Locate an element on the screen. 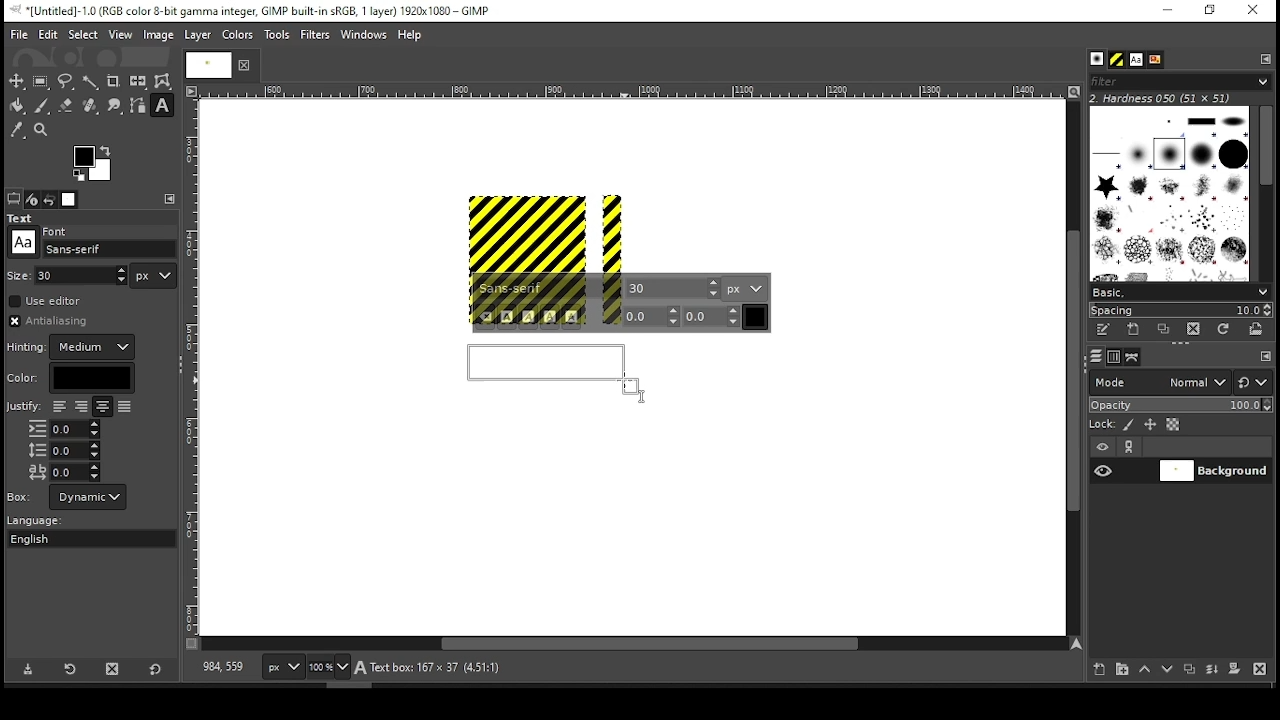 The height and width of the screenshot is (720, 1280). crop  tool is located at coordinates (113, 82).